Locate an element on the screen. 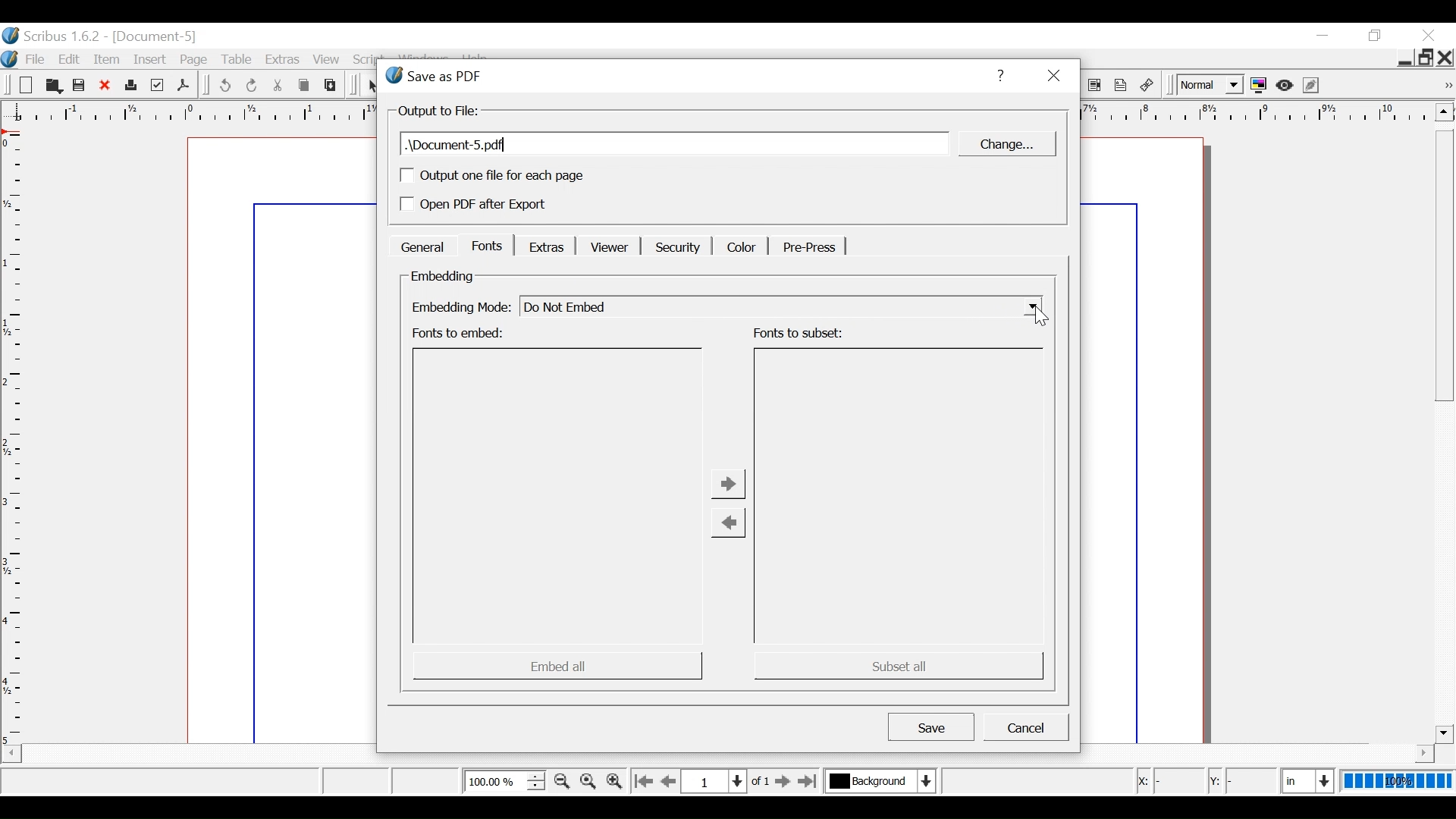 The height and width of the screenshot is (819, 1456). Preview mode is located at coordinates (1286, 86).